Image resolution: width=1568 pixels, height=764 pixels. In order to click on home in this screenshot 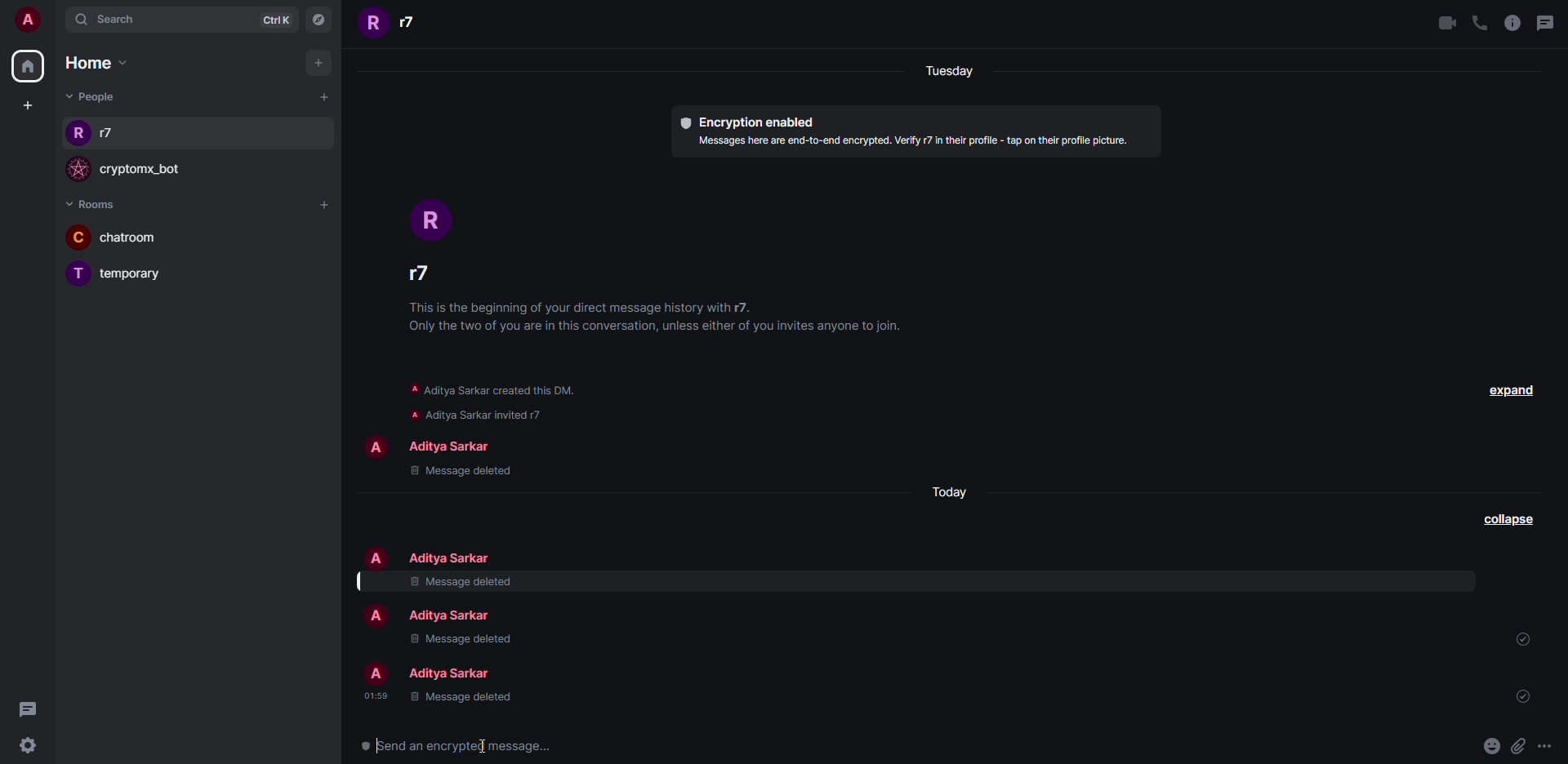, I will do `click(27, 69)`.